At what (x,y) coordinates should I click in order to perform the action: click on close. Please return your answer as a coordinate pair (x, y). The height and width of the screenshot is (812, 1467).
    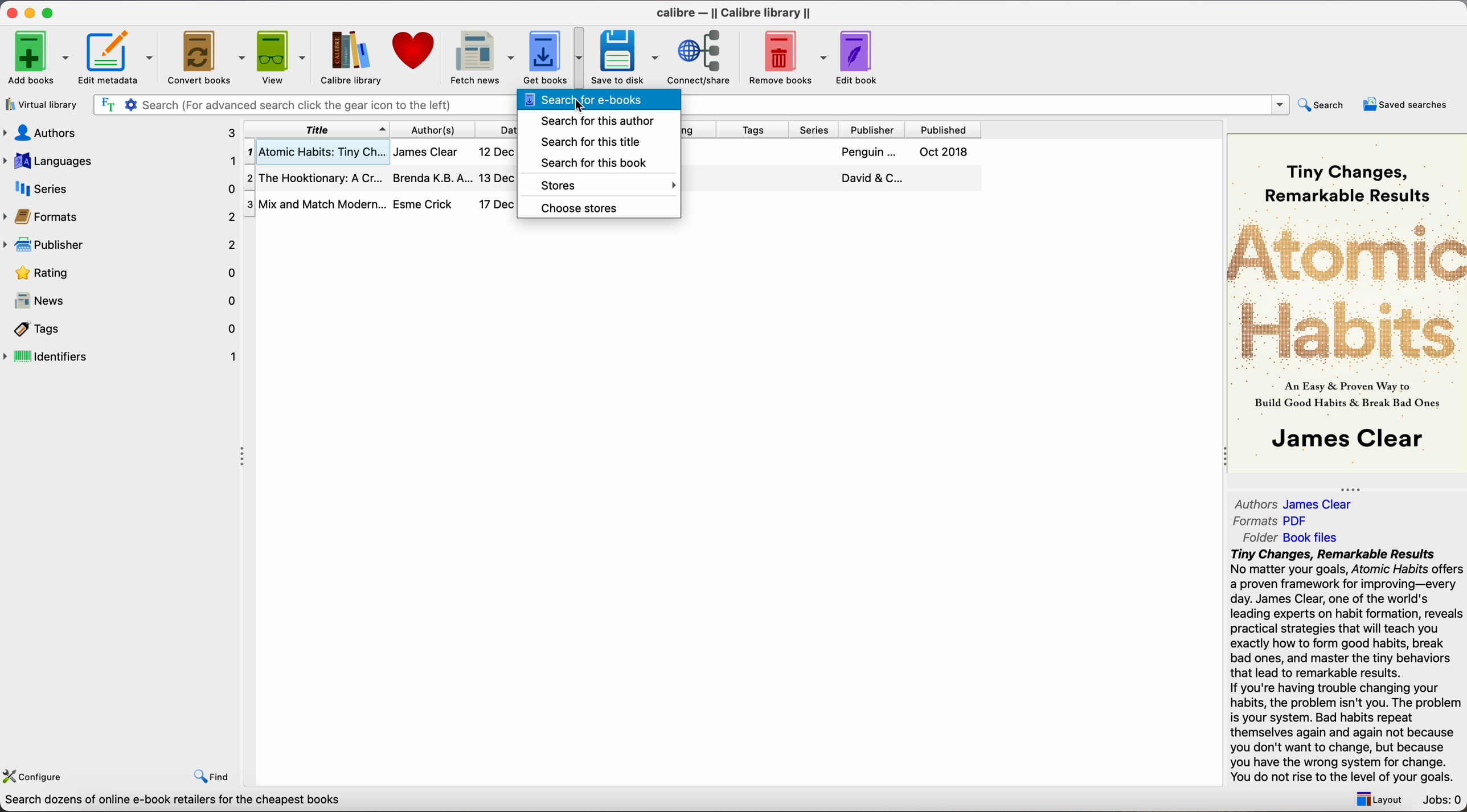
    Looking at the image, I should click on (11, 13).